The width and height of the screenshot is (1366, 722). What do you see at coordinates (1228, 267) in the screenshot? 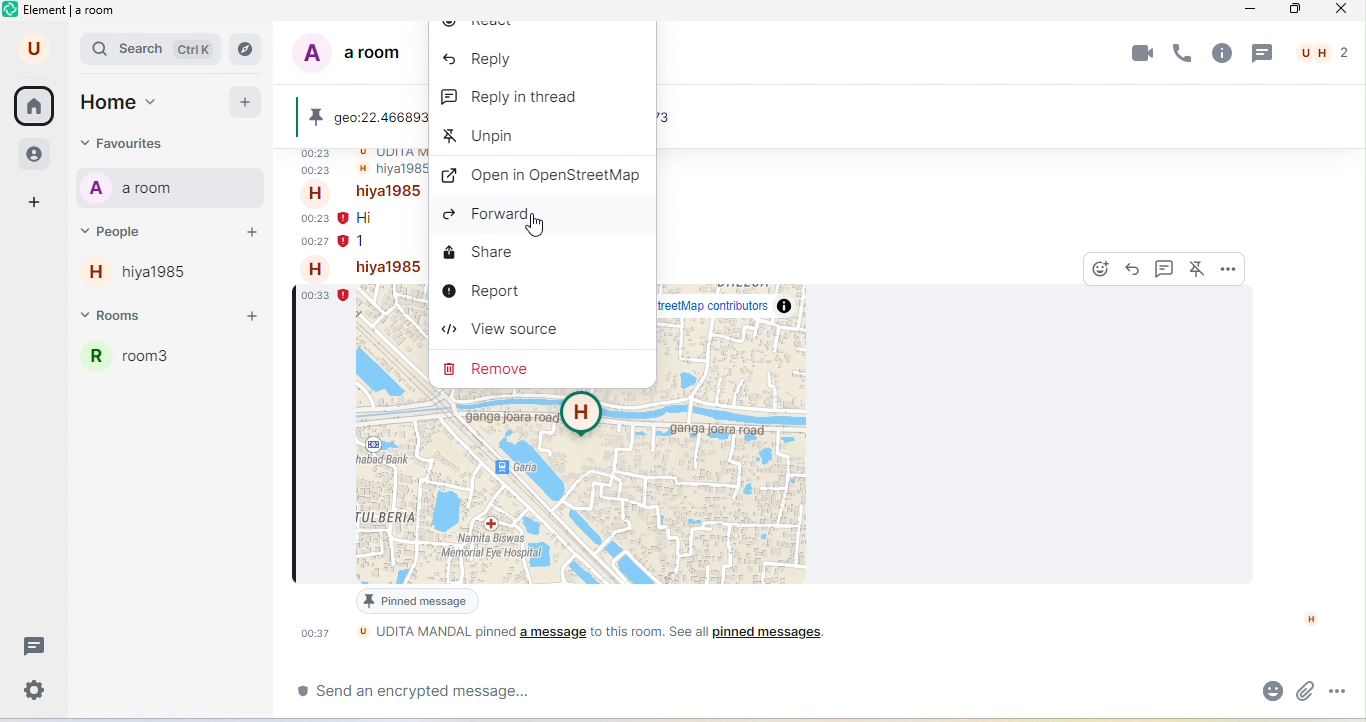
I see `options` at bounding box center [1228, 267].